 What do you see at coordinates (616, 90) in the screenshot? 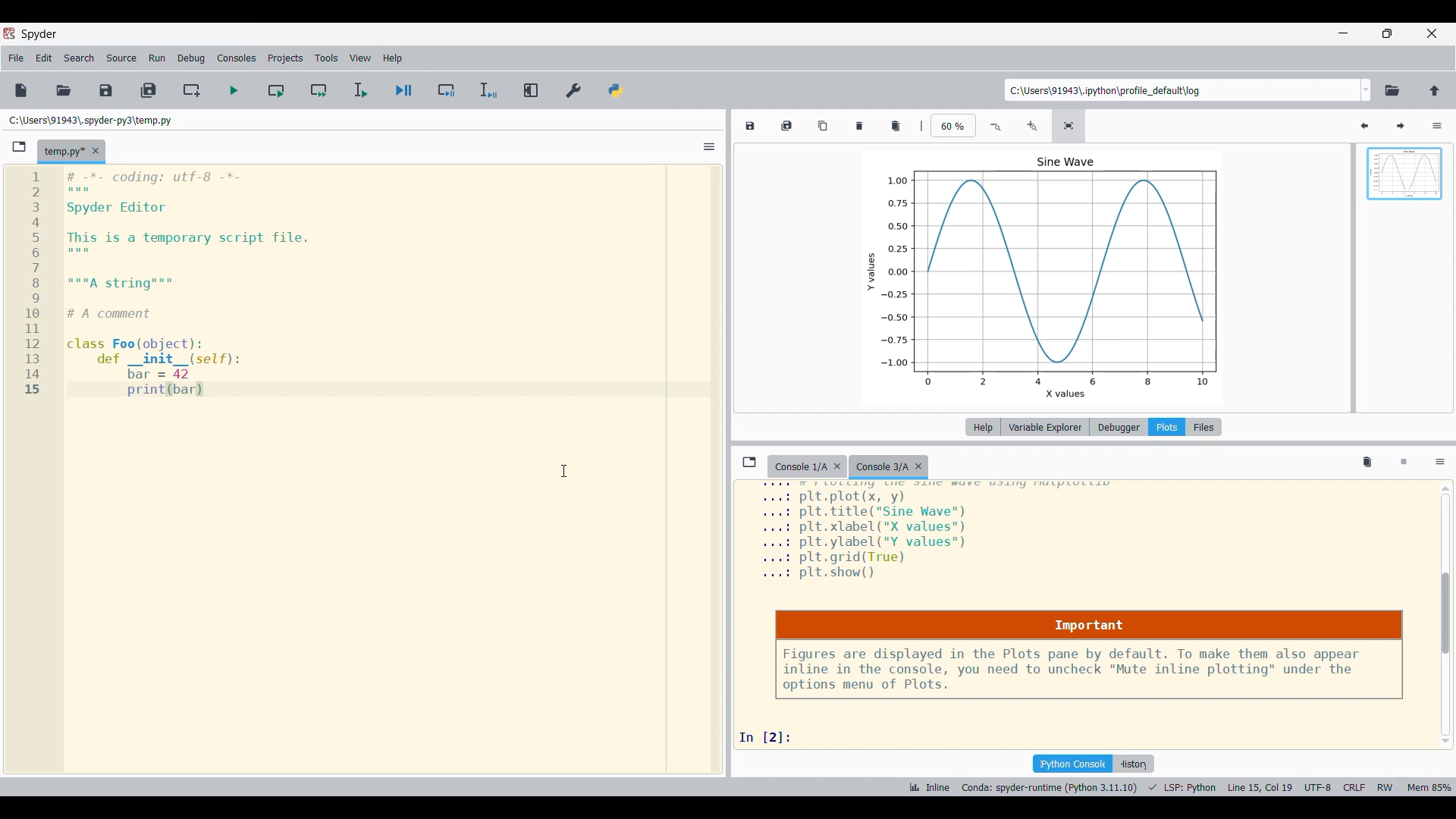
I see `PYTHONPATH manager` at bounding box center [616, 90].